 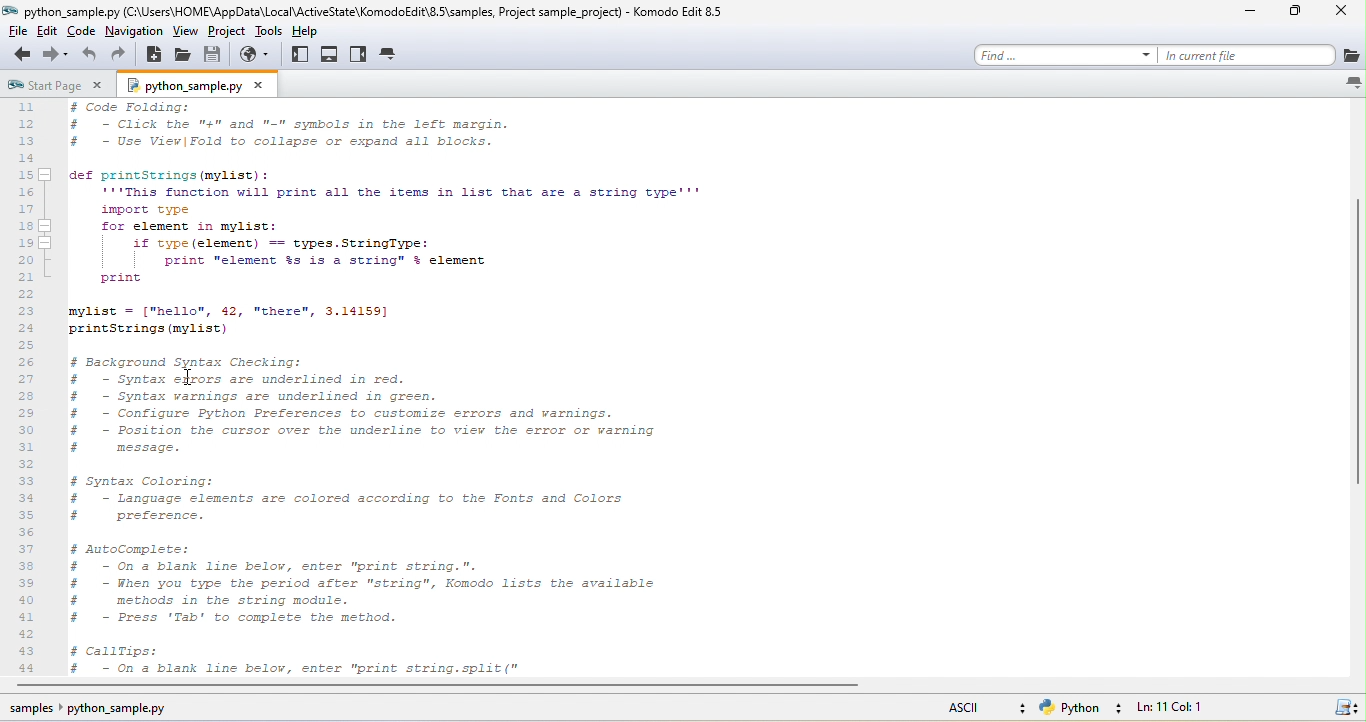 I want to click on code, so click(x=85, y=35).